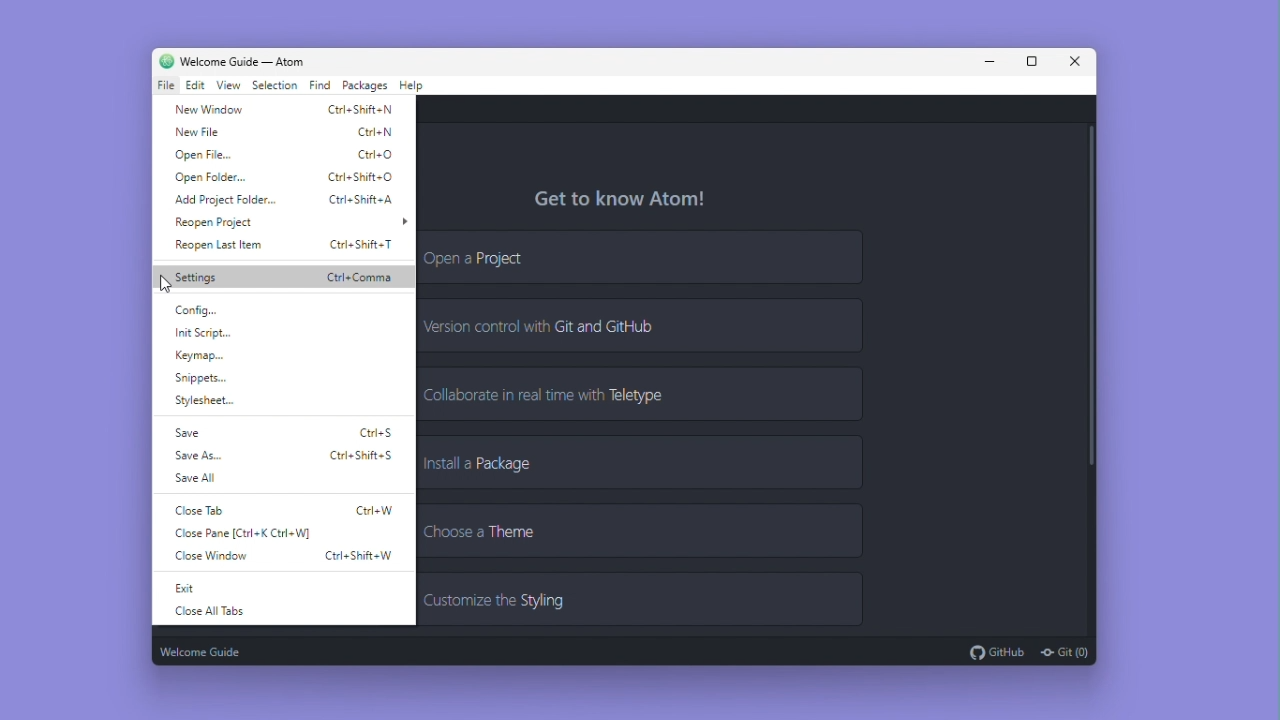 Image resolution: width=1280 pixels, height=720 pixels. Describe the element at coordinates (196, 86) in the screenshot. I see `Edit` at that location.